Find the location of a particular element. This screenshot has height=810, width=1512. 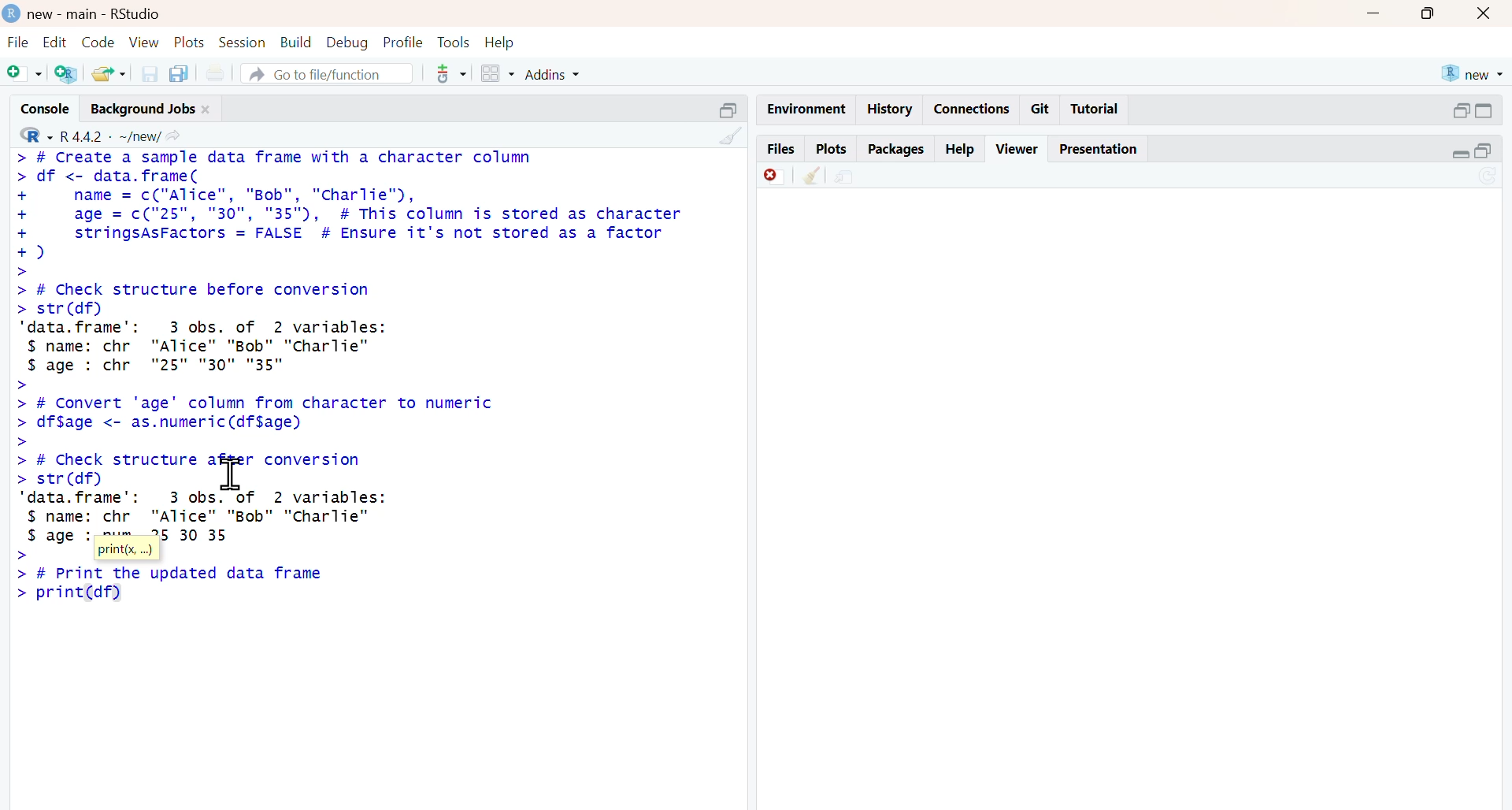

> # Print the updated data frame
> print(df) is located at coordinates (170, 585).